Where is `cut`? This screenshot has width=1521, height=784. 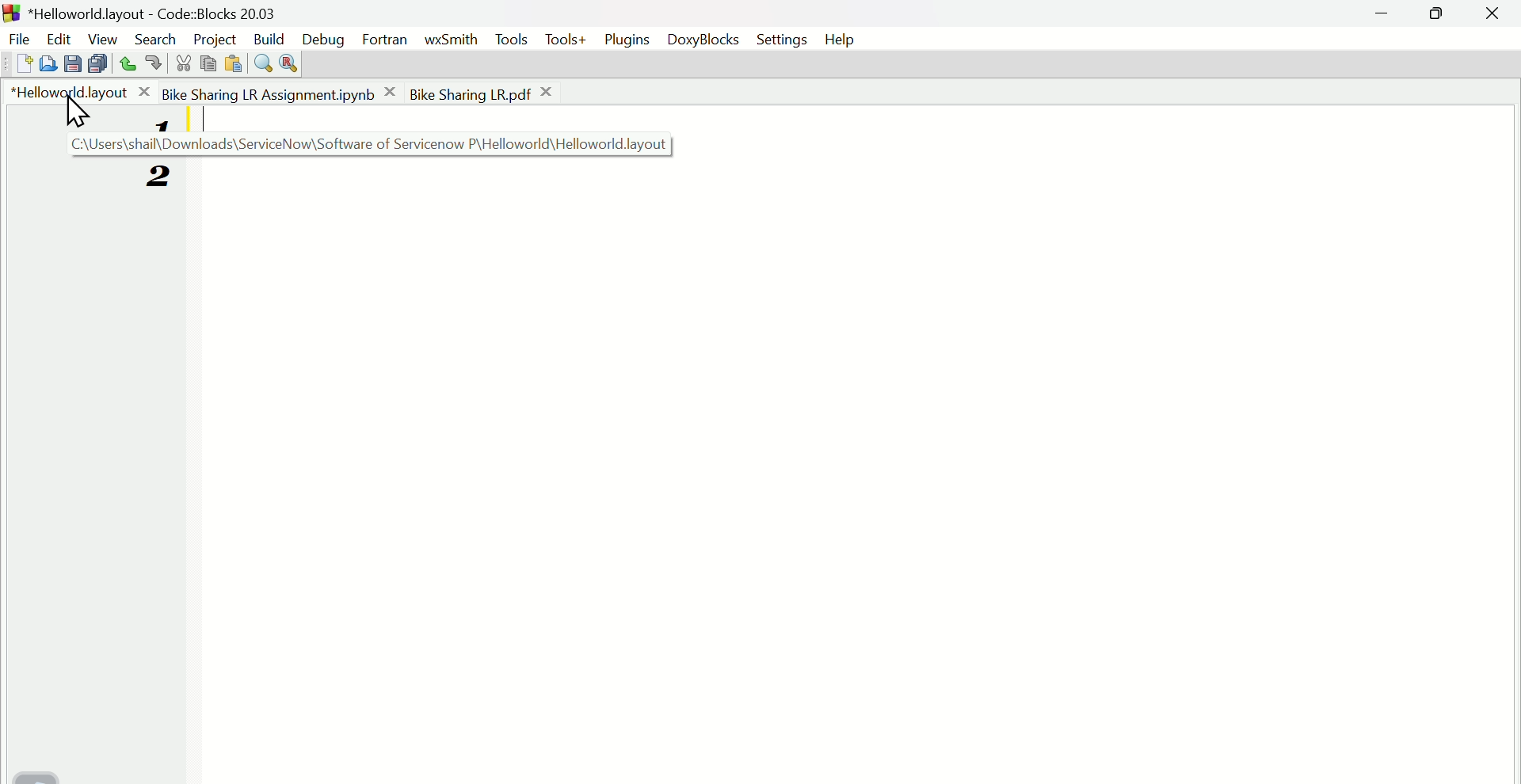
cut is located at coordinates (183, 63).